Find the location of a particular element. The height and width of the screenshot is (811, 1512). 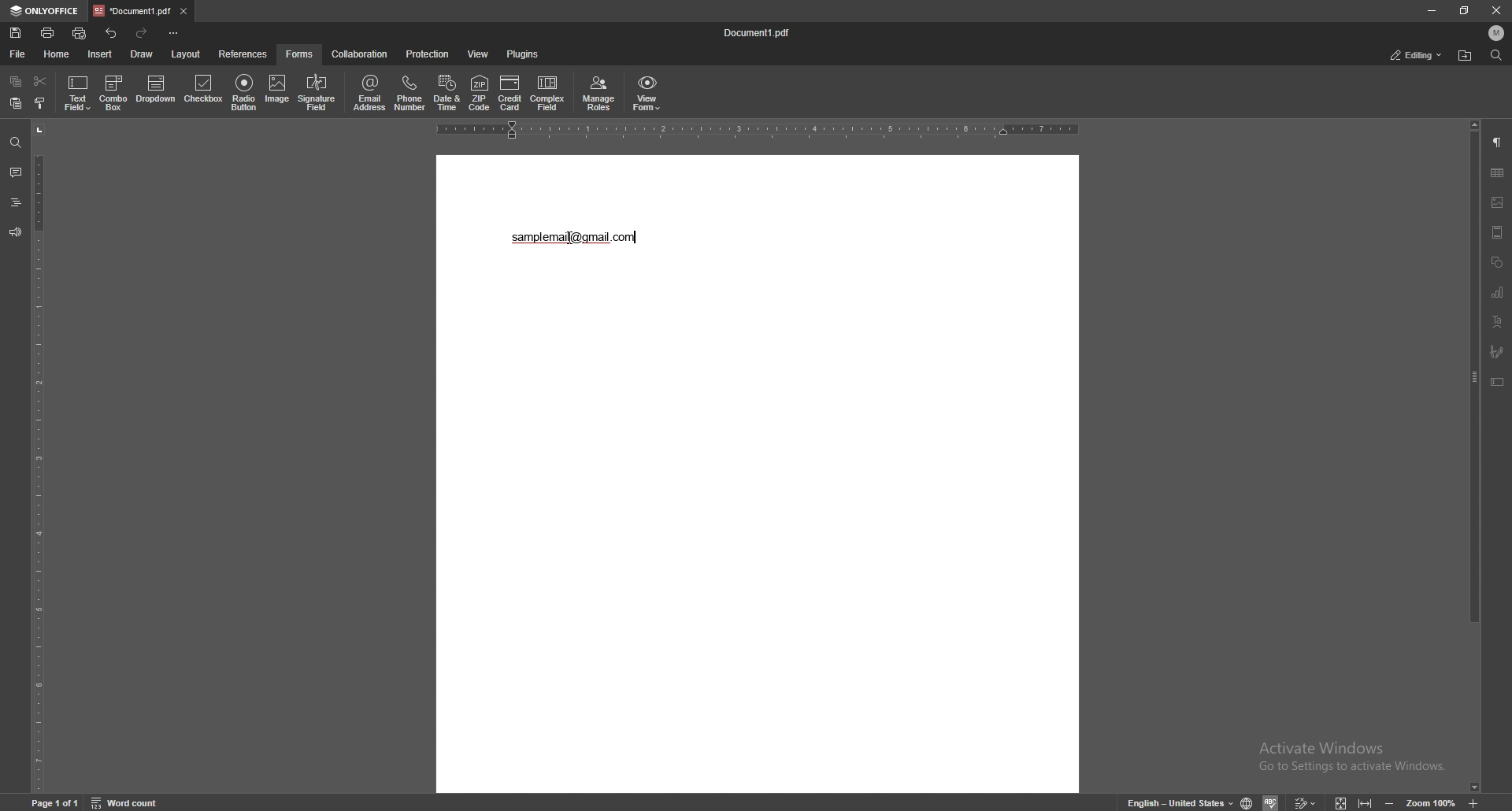

cut is located at coordinates (40, 80).